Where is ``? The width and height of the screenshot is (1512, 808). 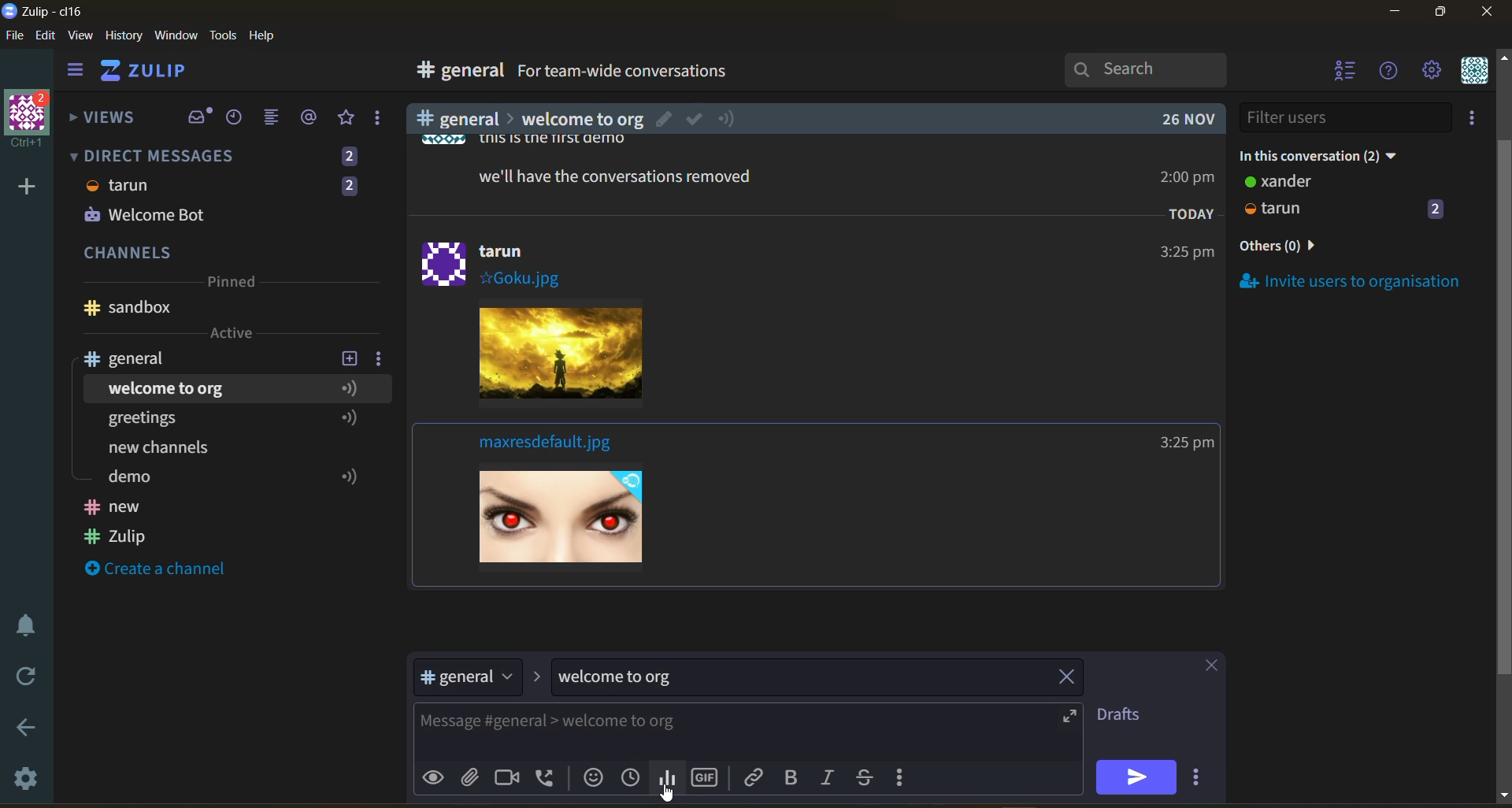  is located at coordinates (498, 261).